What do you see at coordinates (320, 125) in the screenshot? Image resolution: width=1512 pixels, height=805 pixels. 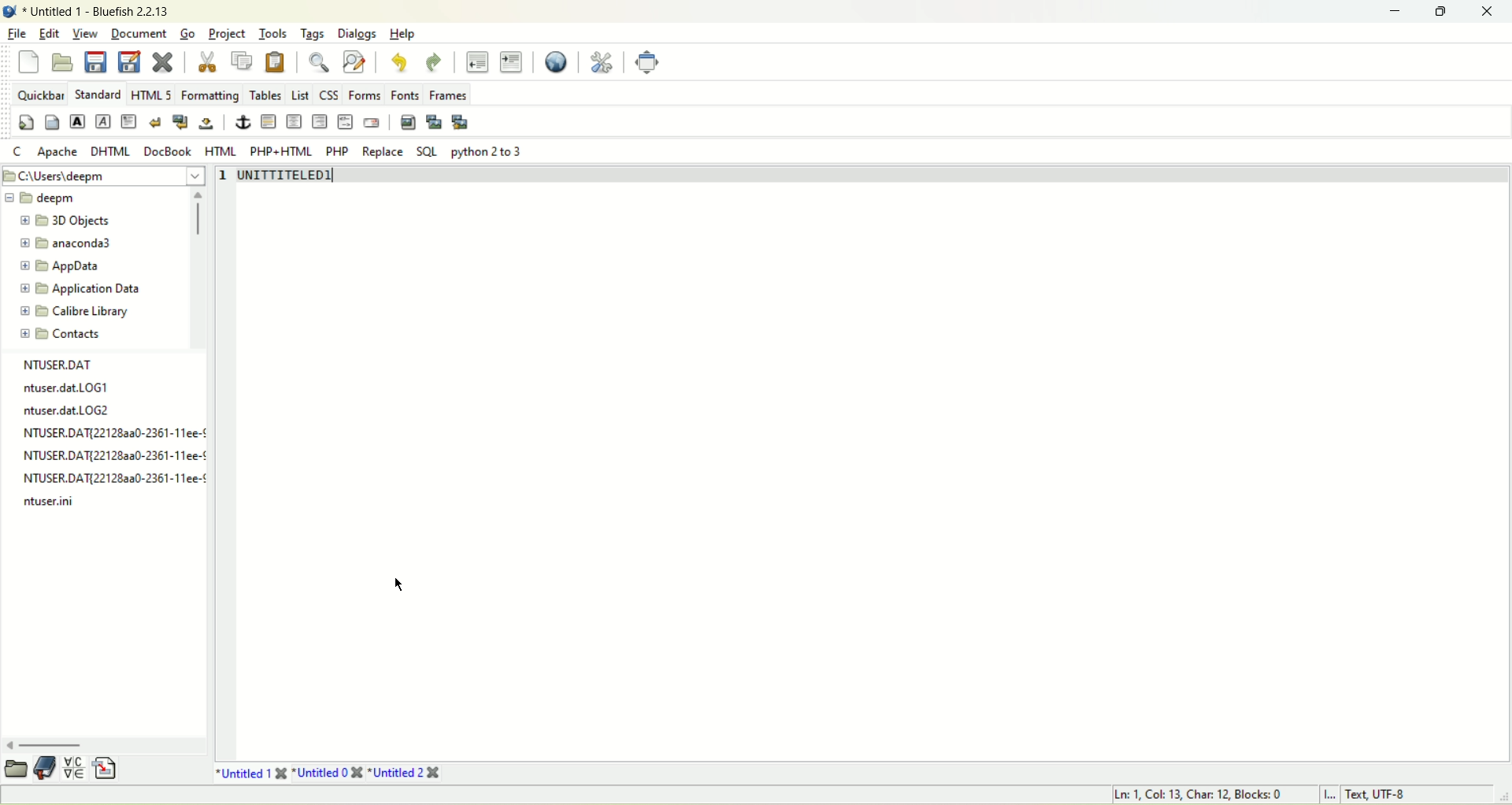 I see `right justify ` at bounding box center [320, 125].